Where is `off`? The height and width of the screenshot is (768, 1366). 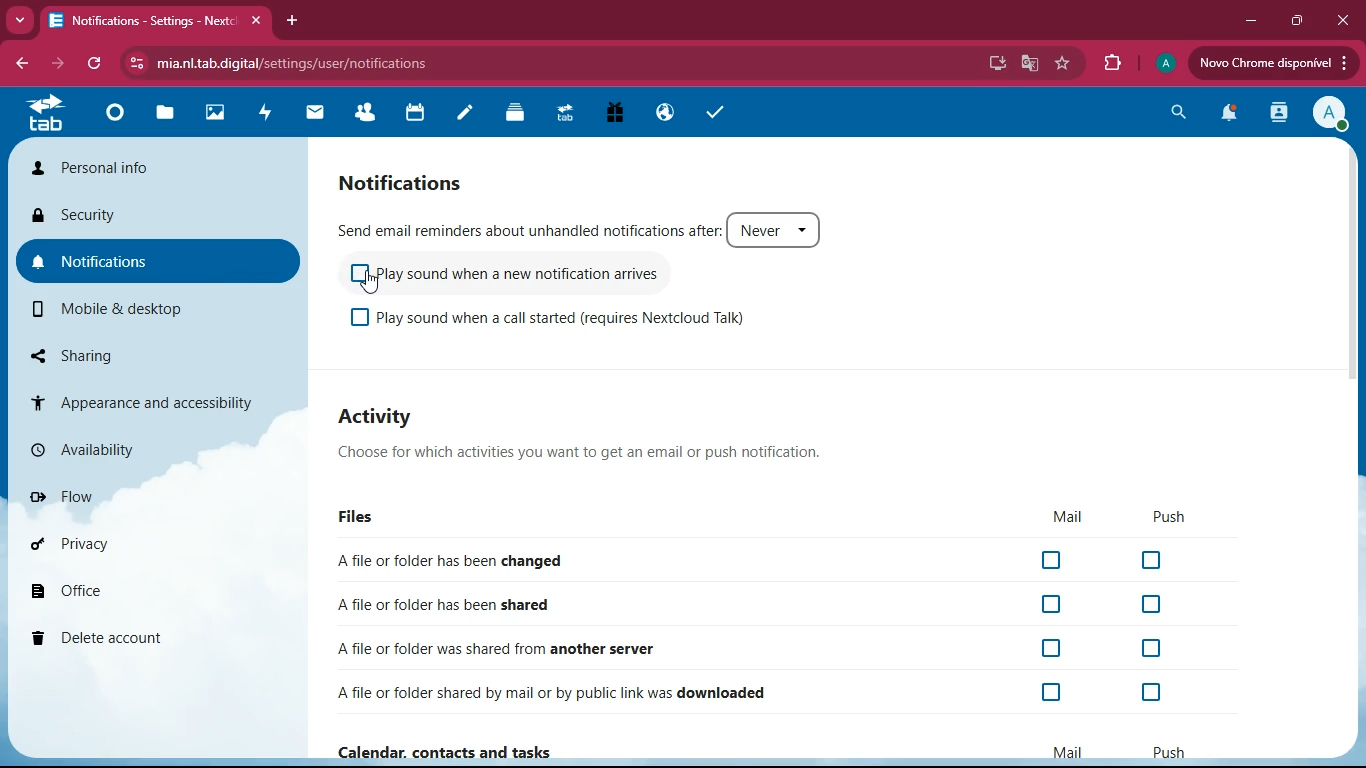 off is located at coordinates (359, 319).